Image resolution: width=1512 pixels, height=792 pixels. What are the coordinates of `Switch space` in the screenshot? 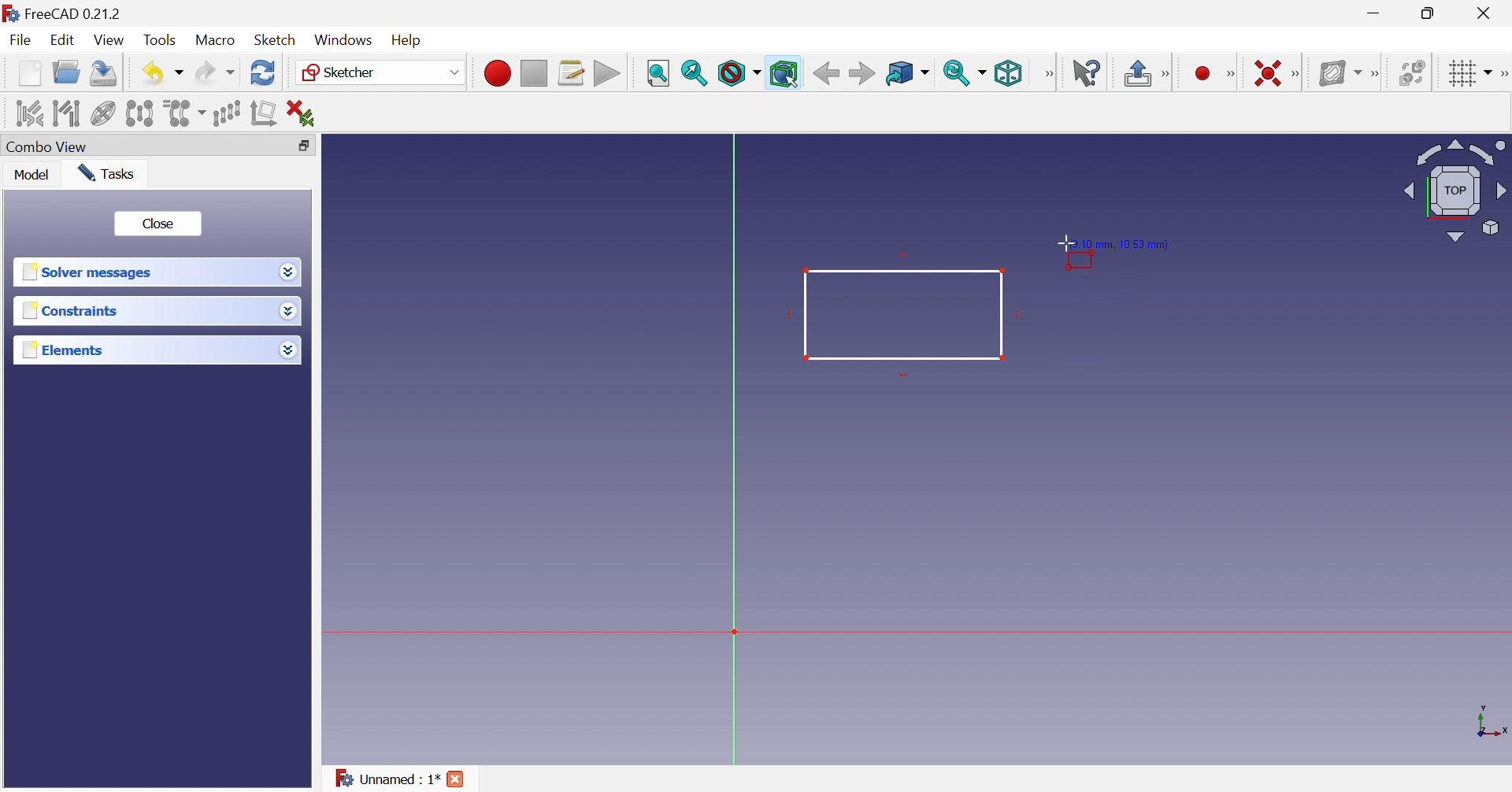 It's located at (1414, 72).